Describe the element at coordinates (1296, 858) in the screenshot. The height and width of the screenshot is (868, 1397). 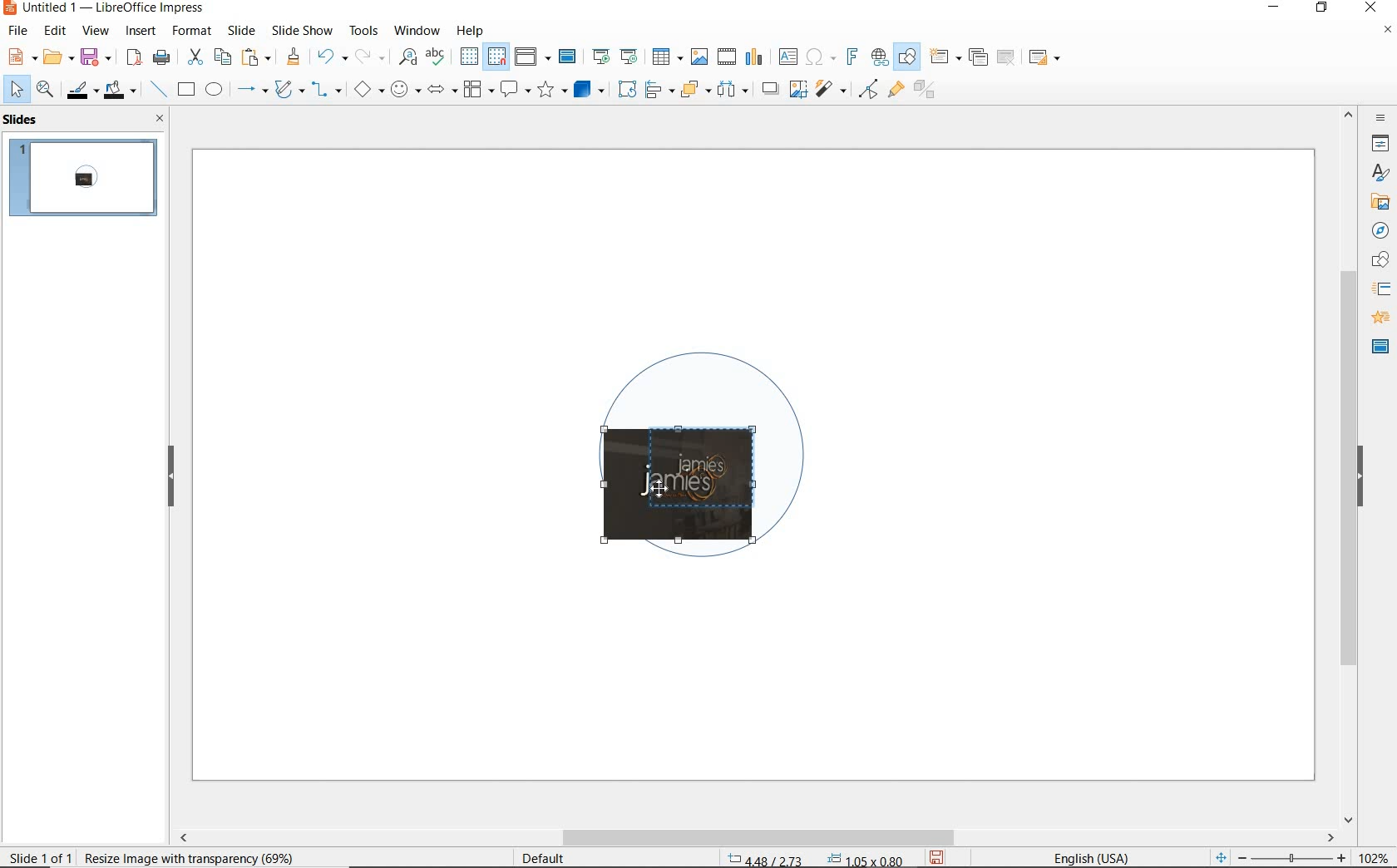
I see `zoom` at that location.